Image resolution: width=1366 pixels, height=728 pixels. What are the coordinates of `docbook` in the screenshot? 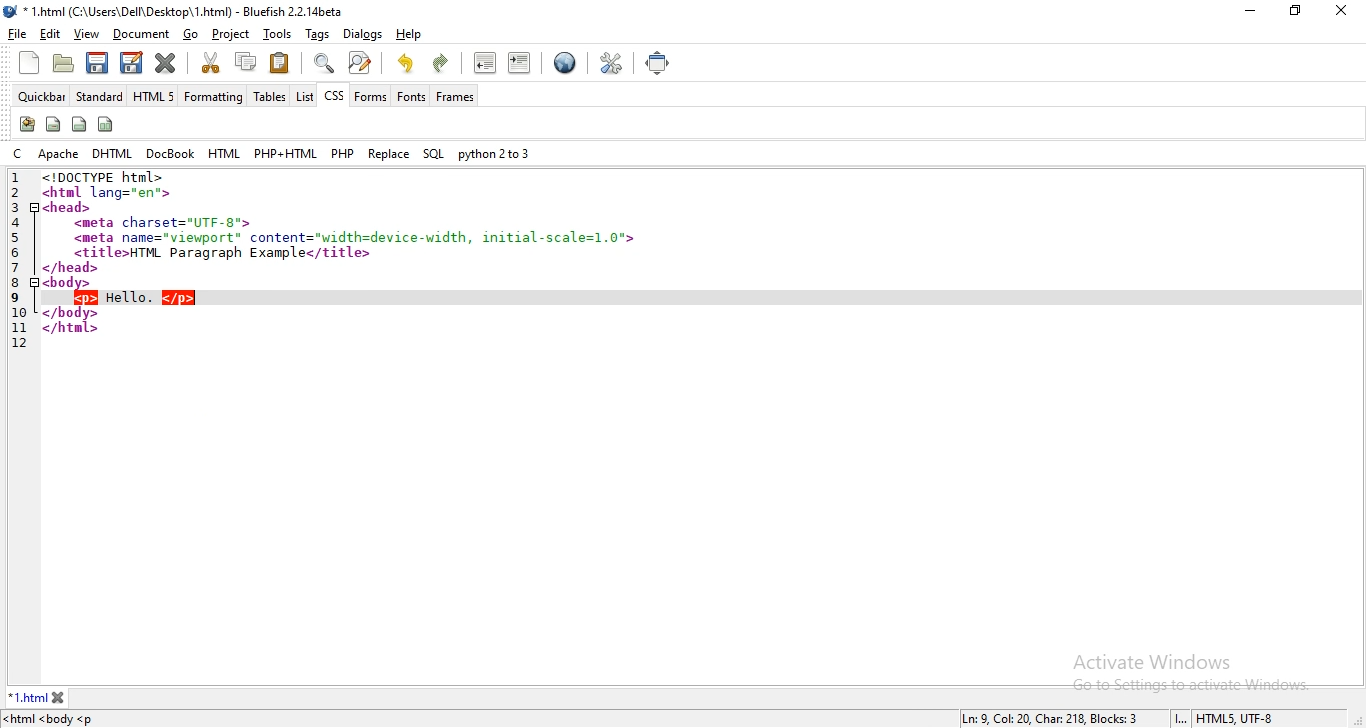 It's located at (170, 154).